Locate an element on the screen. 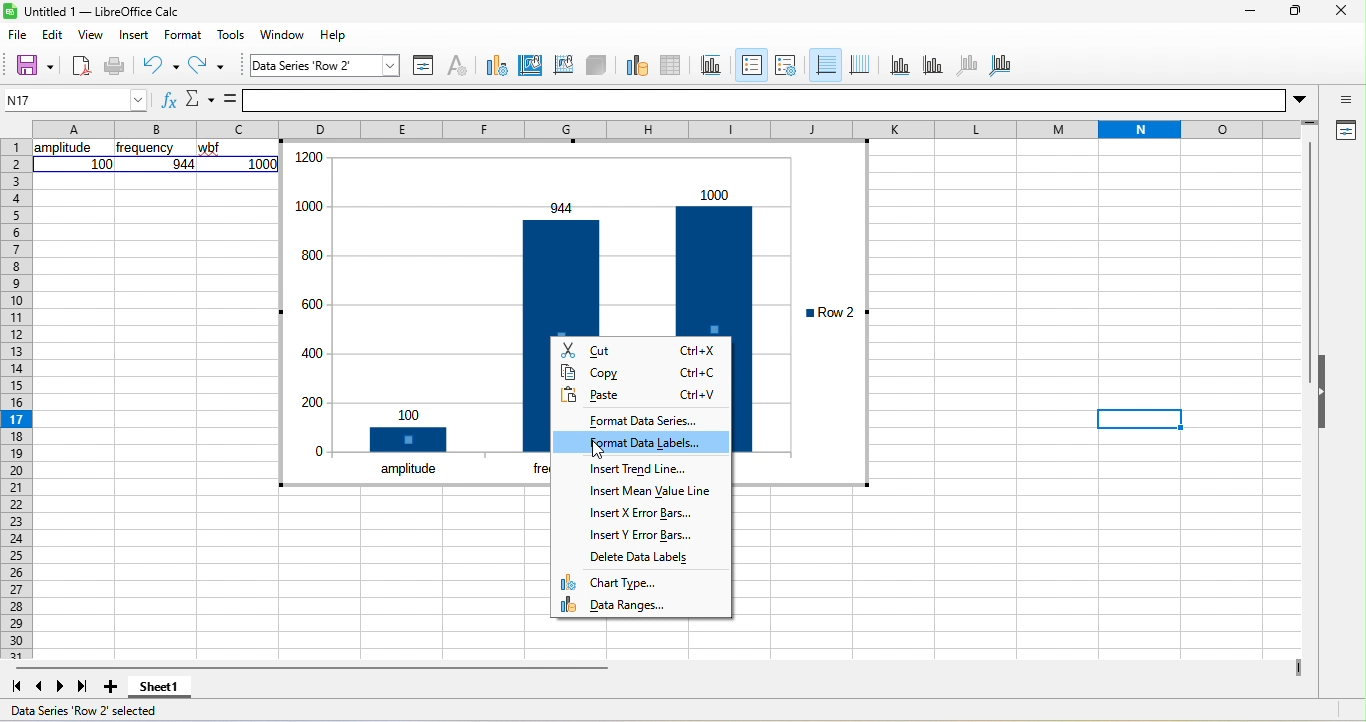 This screenshot has height=722, width=1366. hide is located at coordinates (1324, 396).